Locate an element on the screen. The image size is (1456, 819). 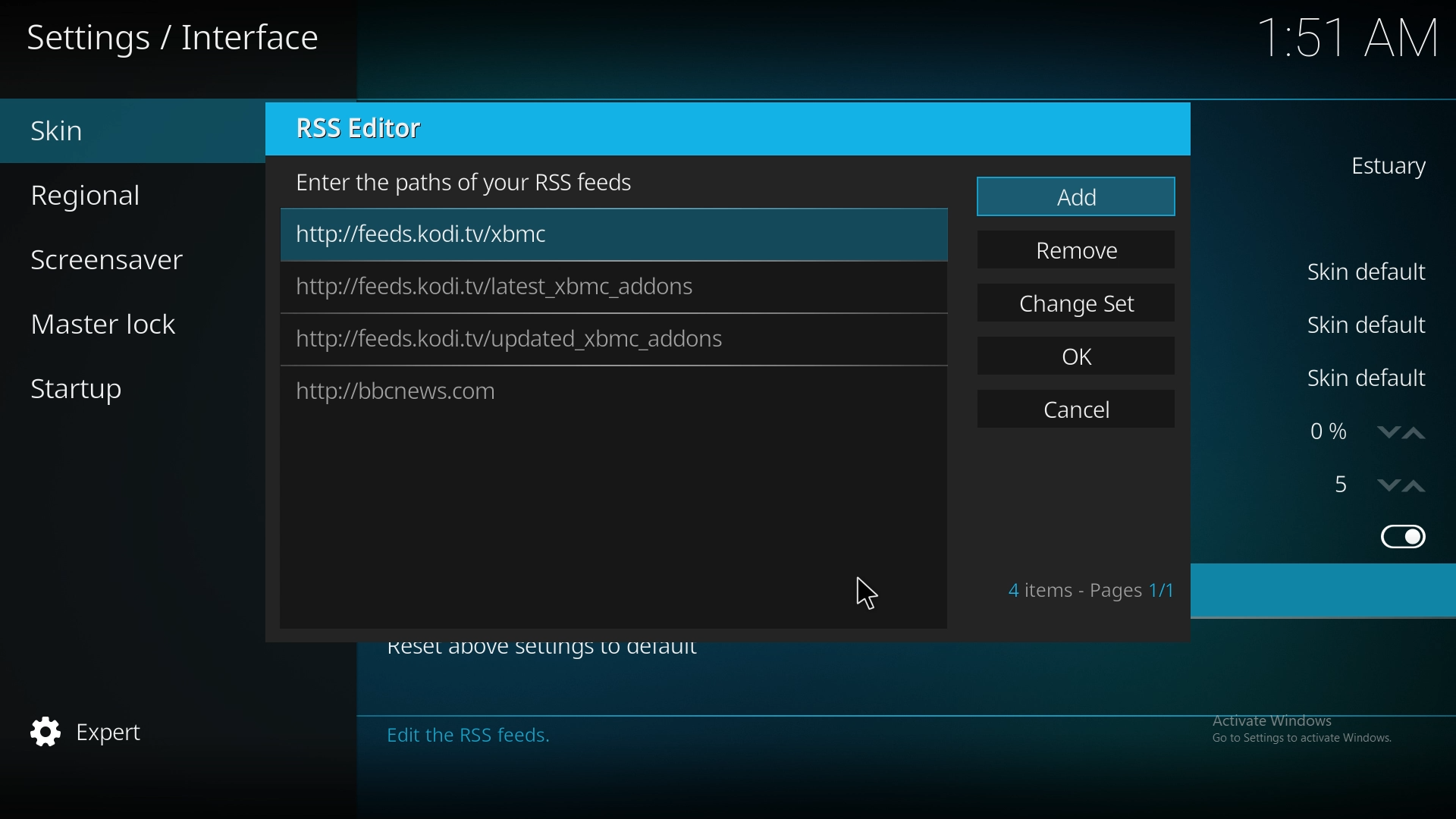
regional is located at coordinates (115, 193).